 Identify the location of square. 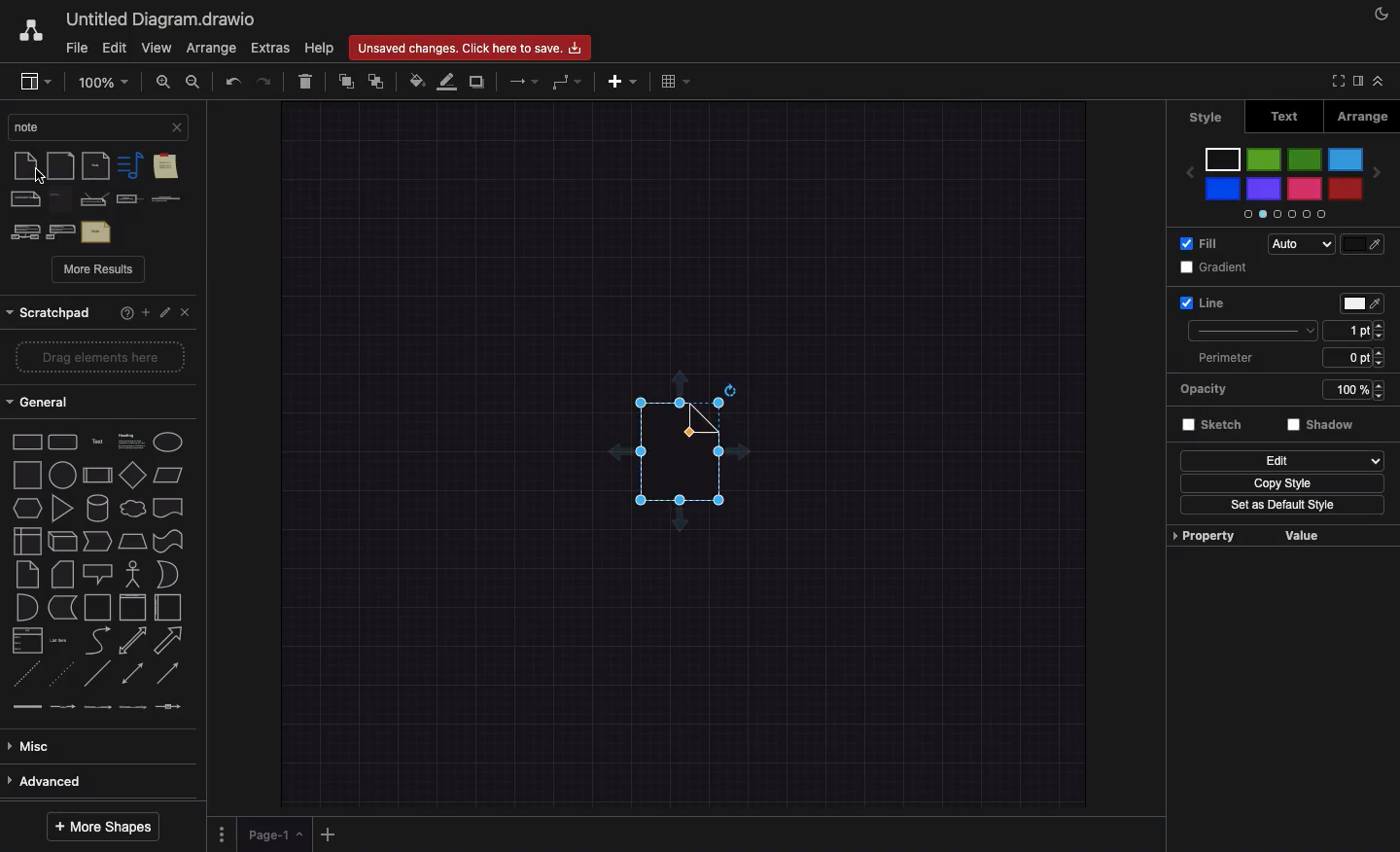
(26, 476).